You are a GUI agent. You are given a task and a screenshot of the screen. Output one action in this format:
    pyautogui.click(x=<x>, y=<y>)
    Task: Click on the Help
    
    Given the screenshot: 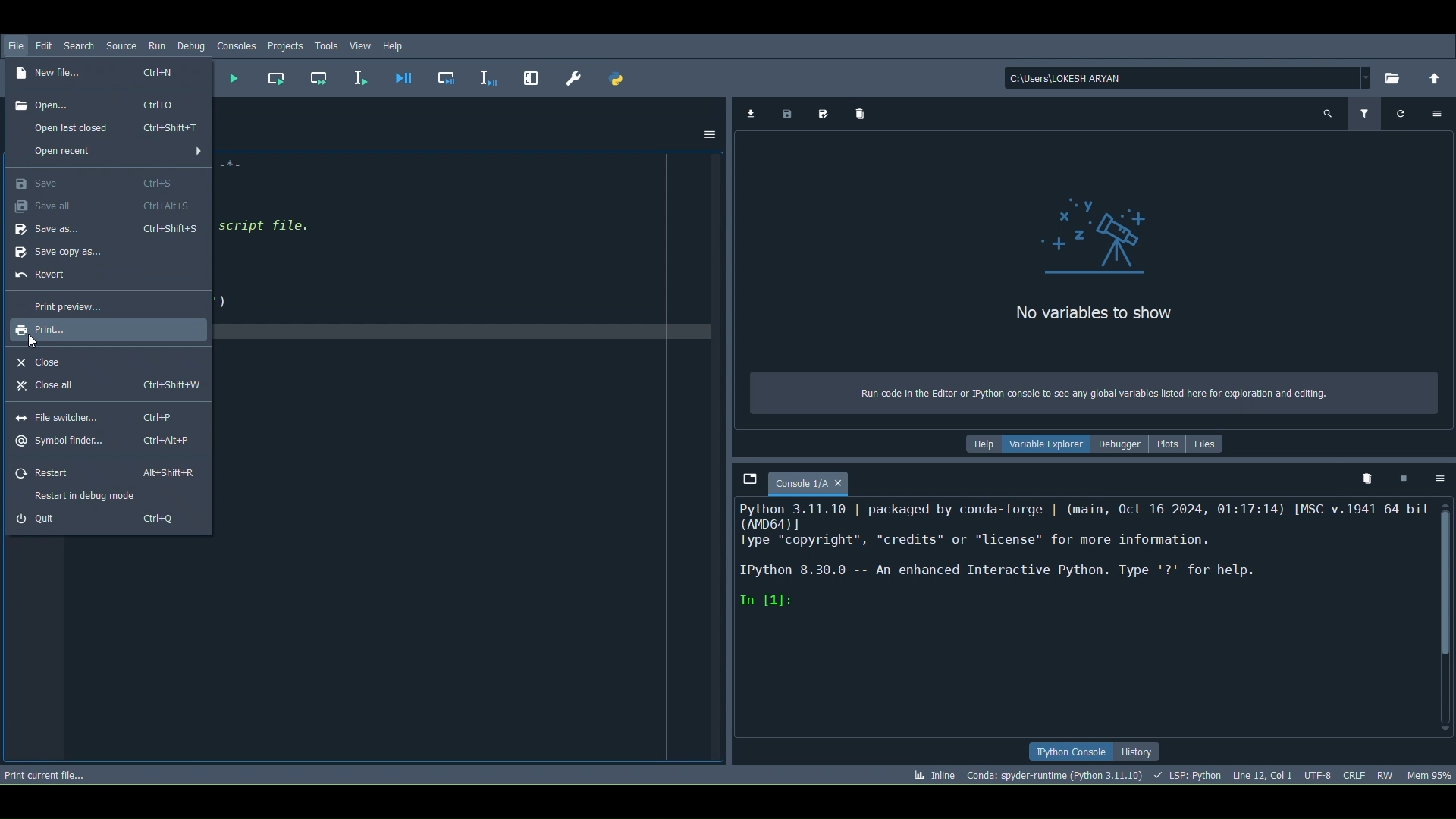 What is the action you would take?
    pyautogui.click(x=400, y=45)
    